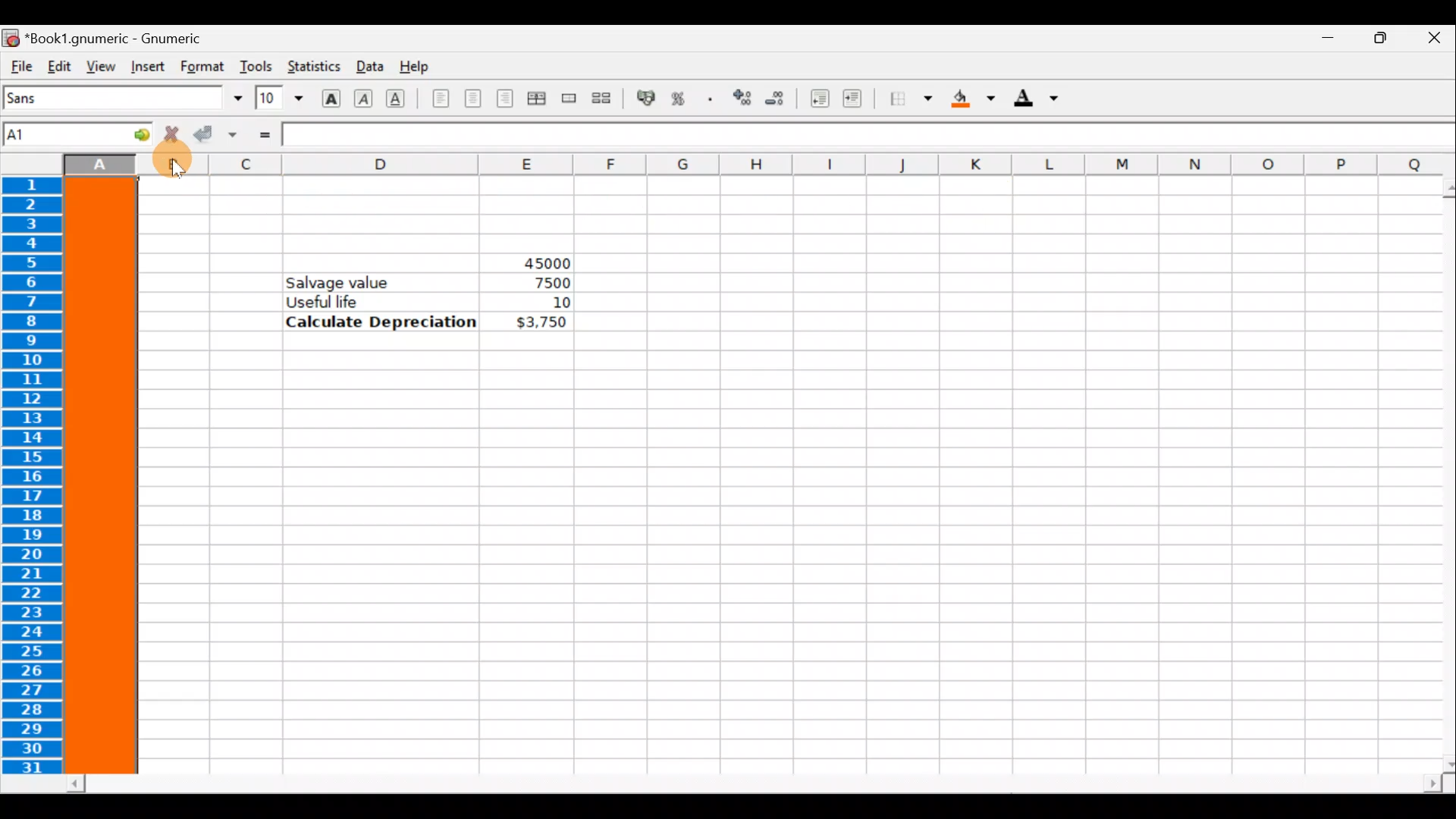 Image resolution: width=1456 pixels, height=819 pixels. What do you see at coordinates (122, 37) in the screenshot?
I see `Book1.gnumeric - Gnumeric` at bounding box center [122, 37].